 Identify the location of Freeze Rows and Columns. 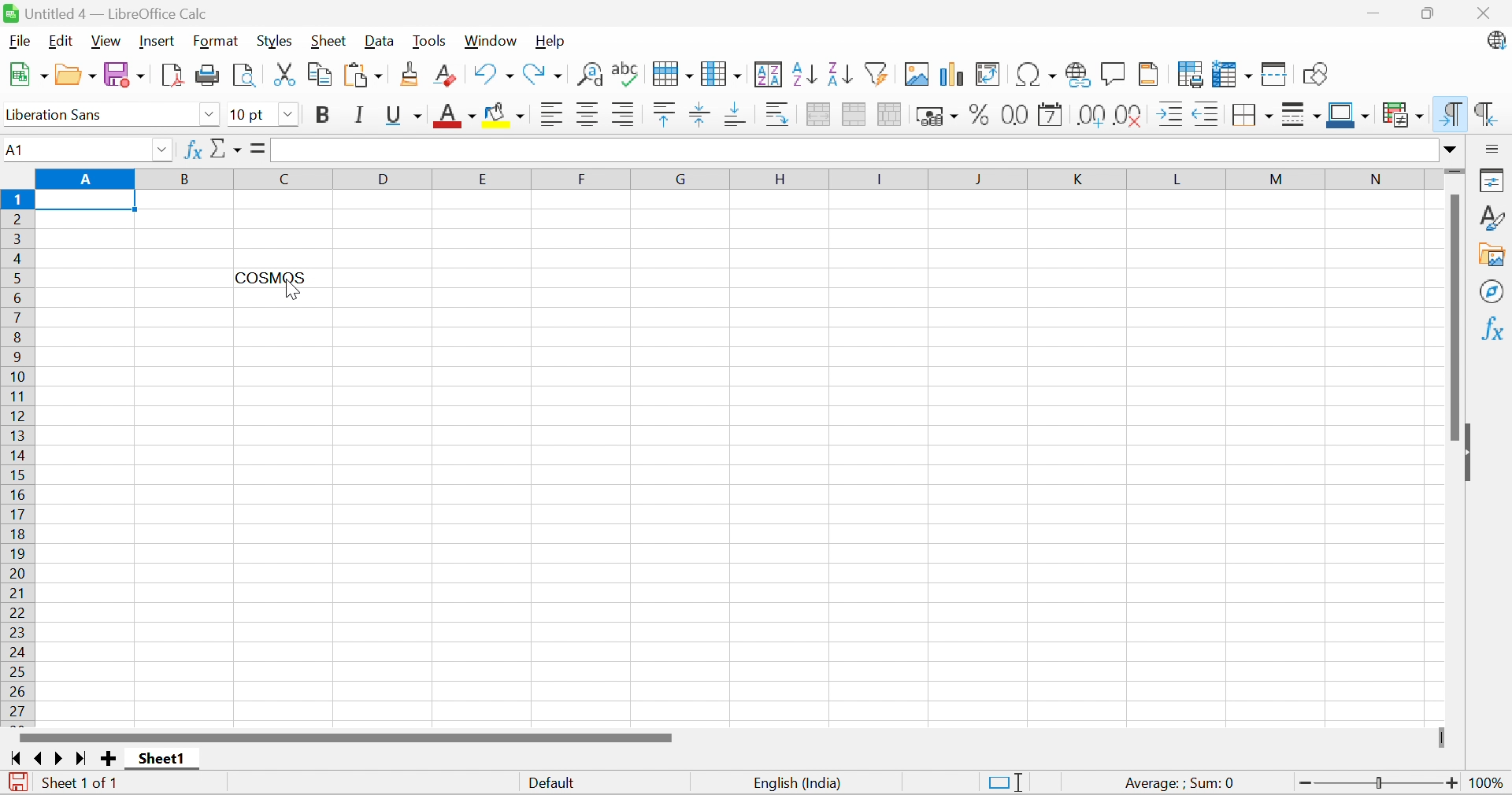
(1234, 72).